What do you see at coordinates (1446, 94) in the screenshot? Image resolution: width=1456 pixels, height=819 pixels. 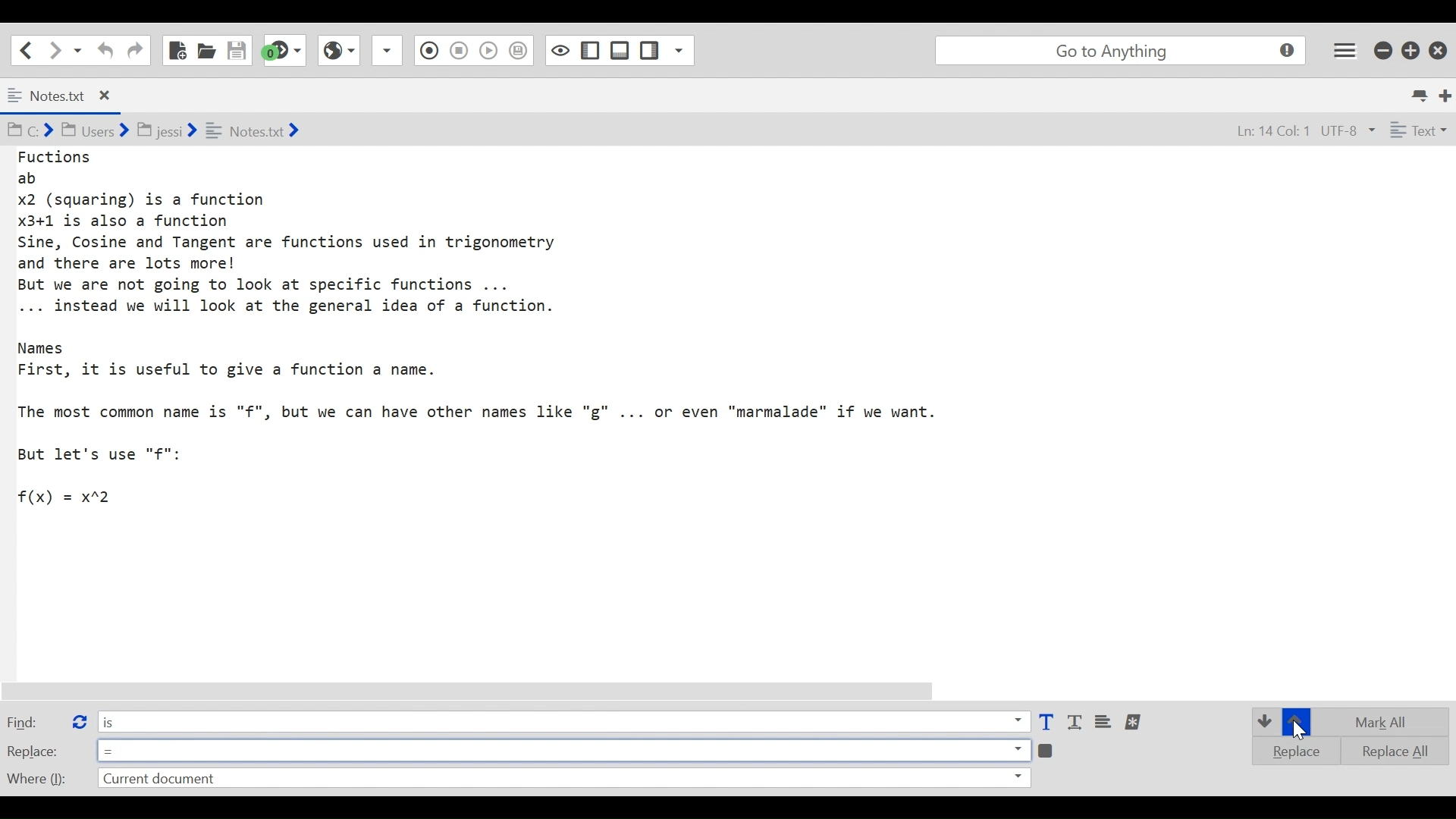 I see `New Tab` at bounding box center [1446, 94].